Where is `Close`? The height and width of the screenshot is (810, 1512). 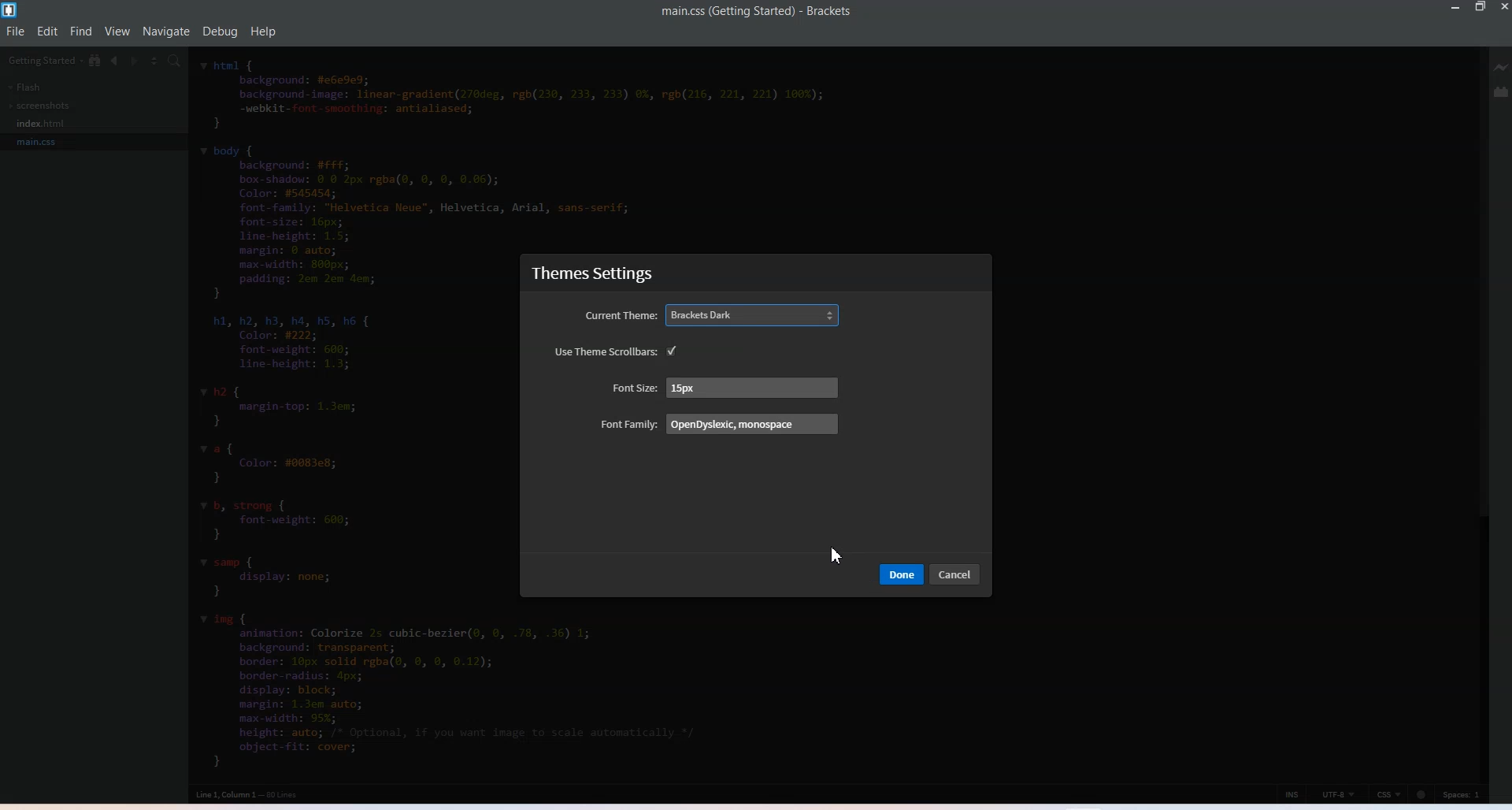 Close is located at coordinates (1503, 7).